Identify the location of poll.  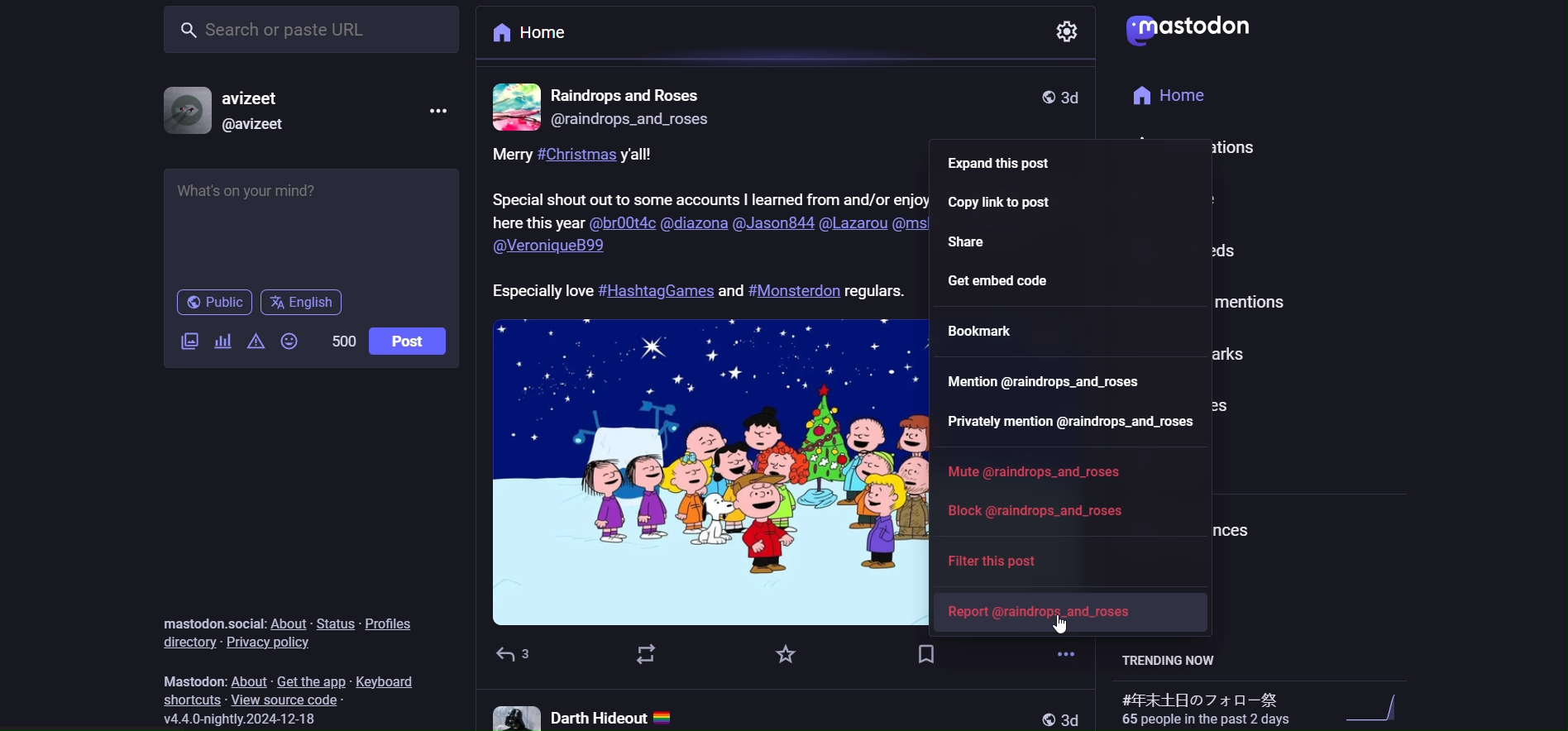
(221, 339).